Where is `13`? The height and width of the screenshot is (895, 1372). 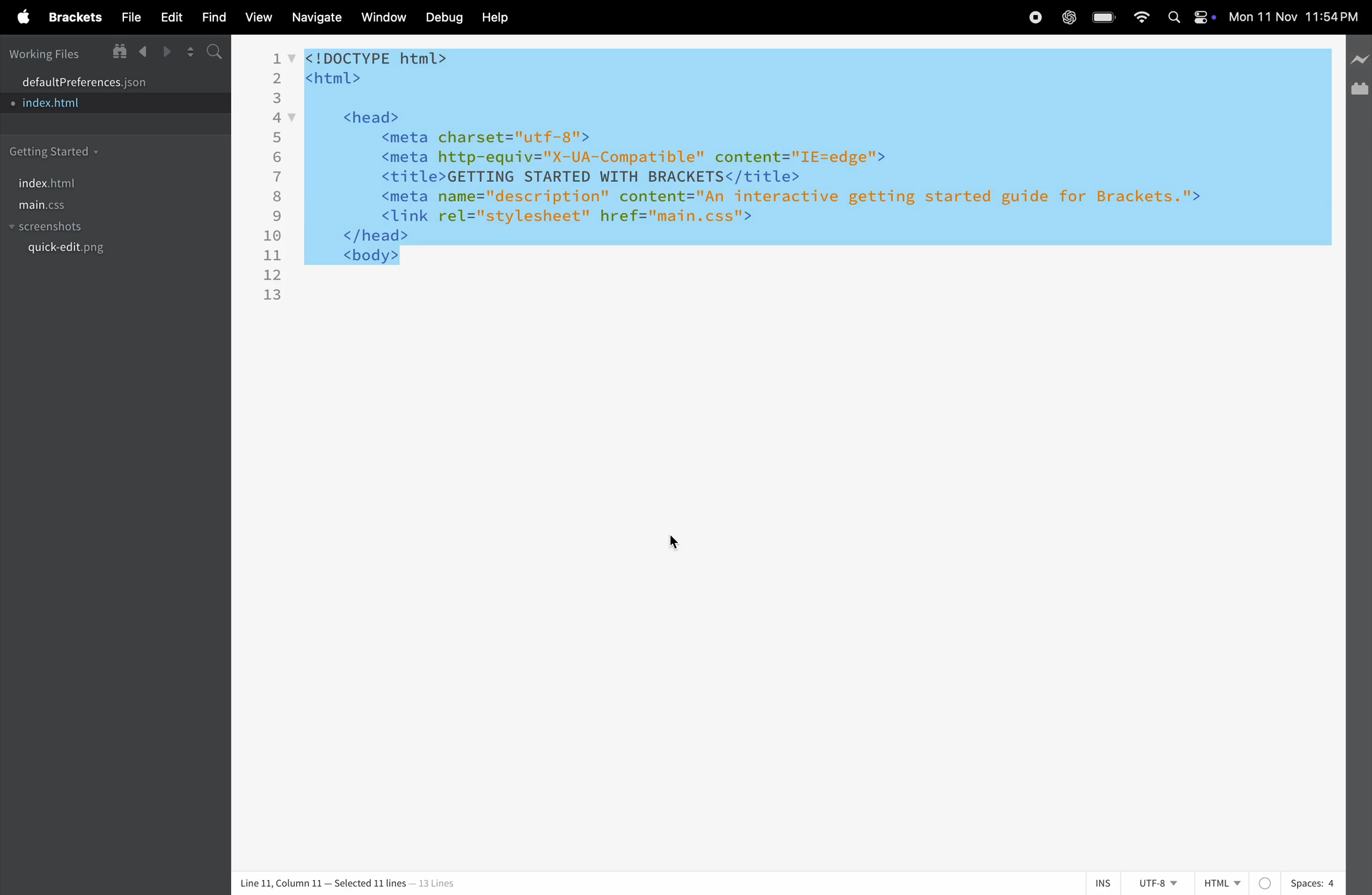
13 is located at coordinates (274, 296).